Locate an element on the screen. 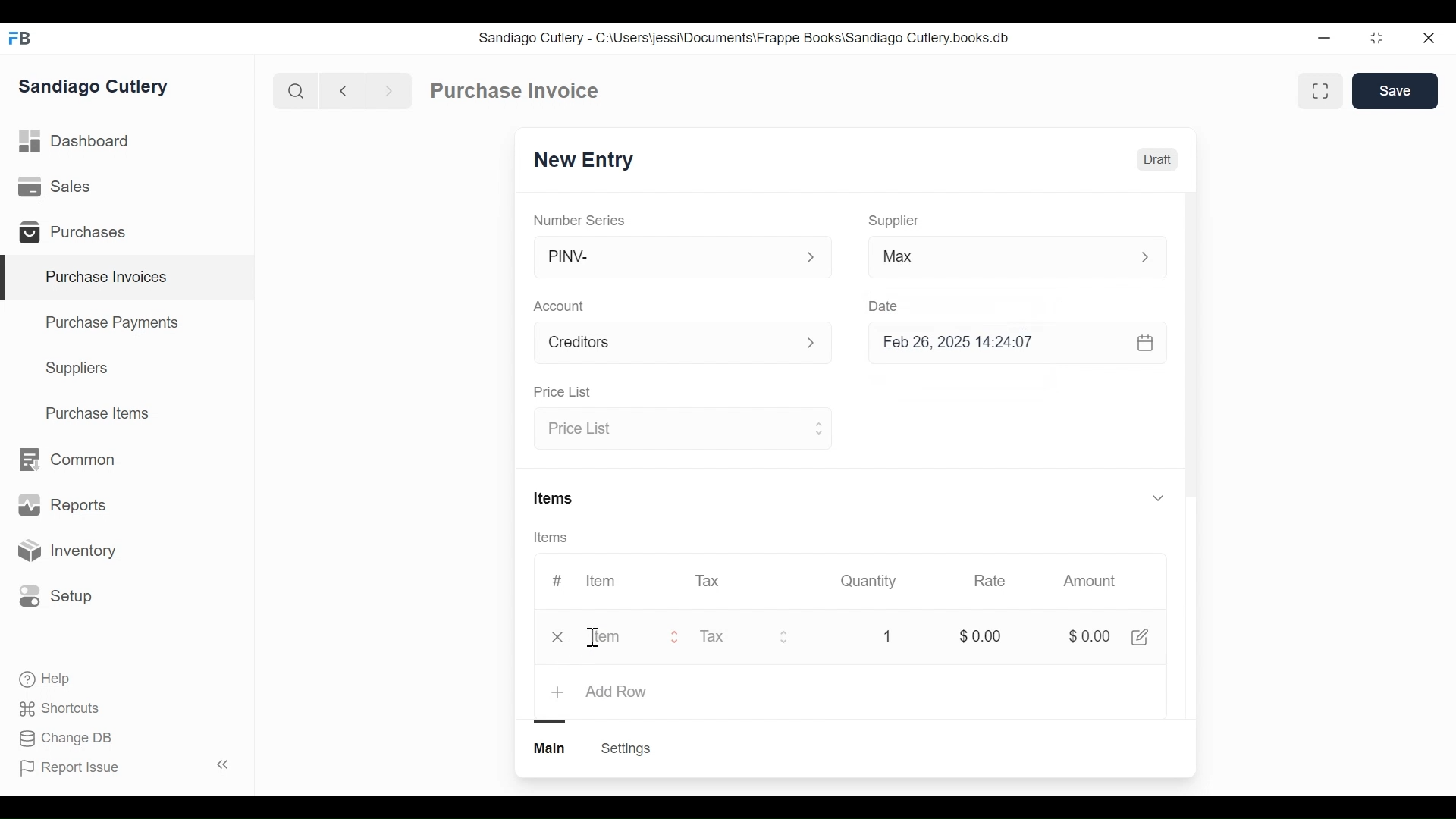  Purchases is located at coordinates (79, 234).